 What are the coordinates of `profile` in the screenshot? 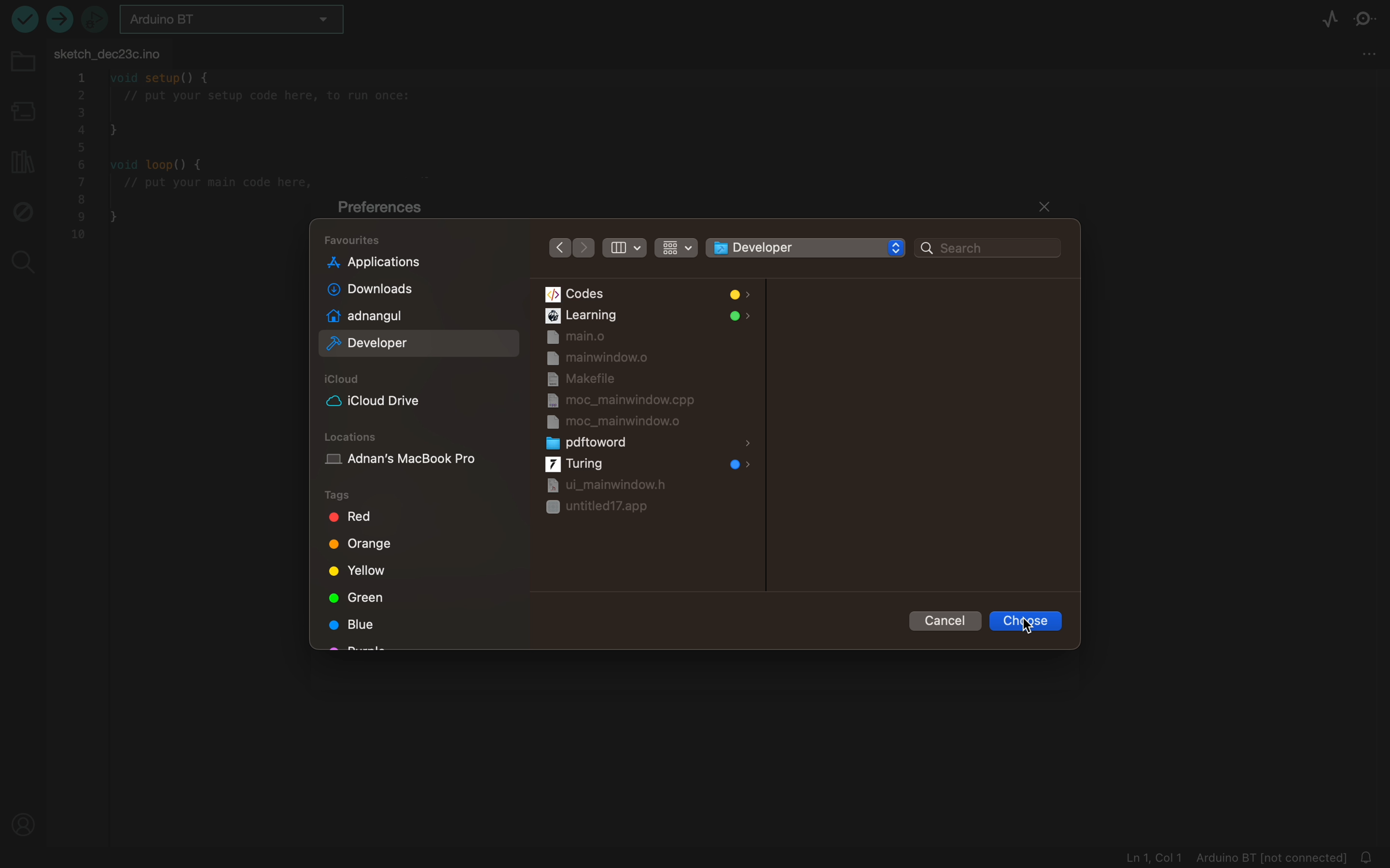 It's located at (26, 824).